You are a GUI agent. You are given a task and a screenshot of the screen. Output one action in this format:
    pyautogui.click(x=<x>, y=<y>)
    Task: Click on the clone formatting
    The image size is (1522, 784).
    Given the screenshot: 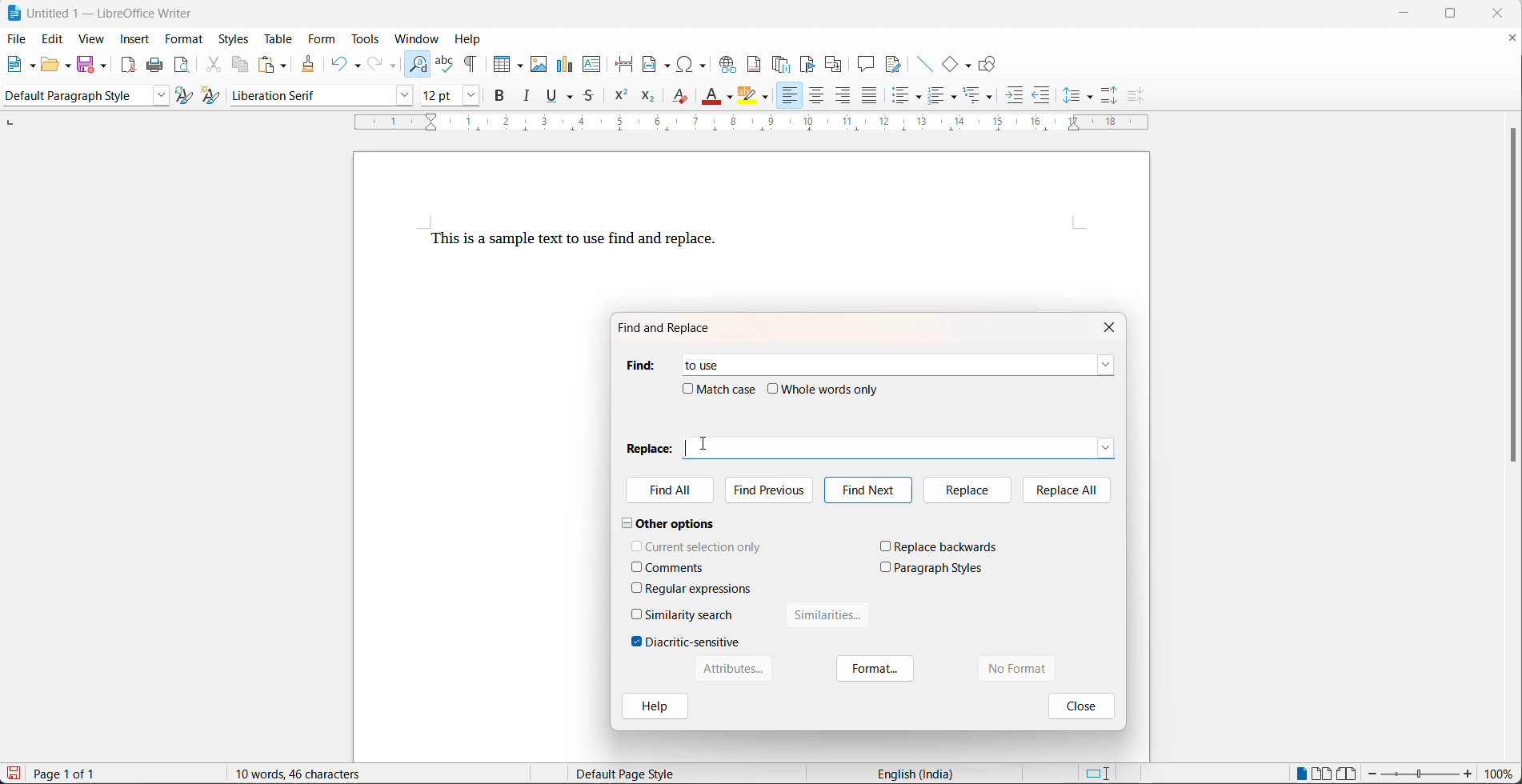 What is the action you would take?
    pyautogui.click(x=310, y=65)
    